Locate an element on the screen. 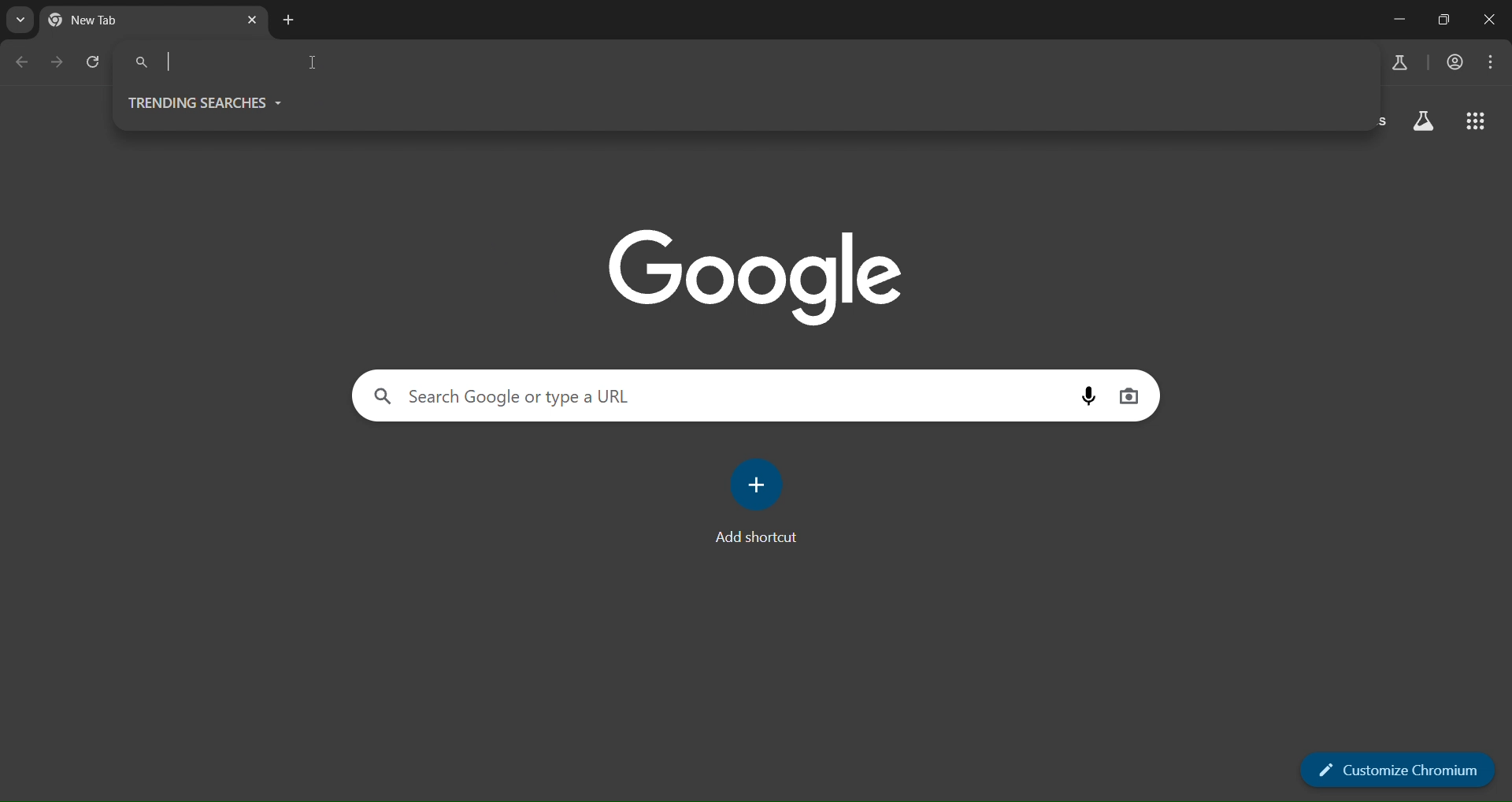 The height and width of the screenshot is (802, 1512). accounts is located at coordinates (1456, 61).